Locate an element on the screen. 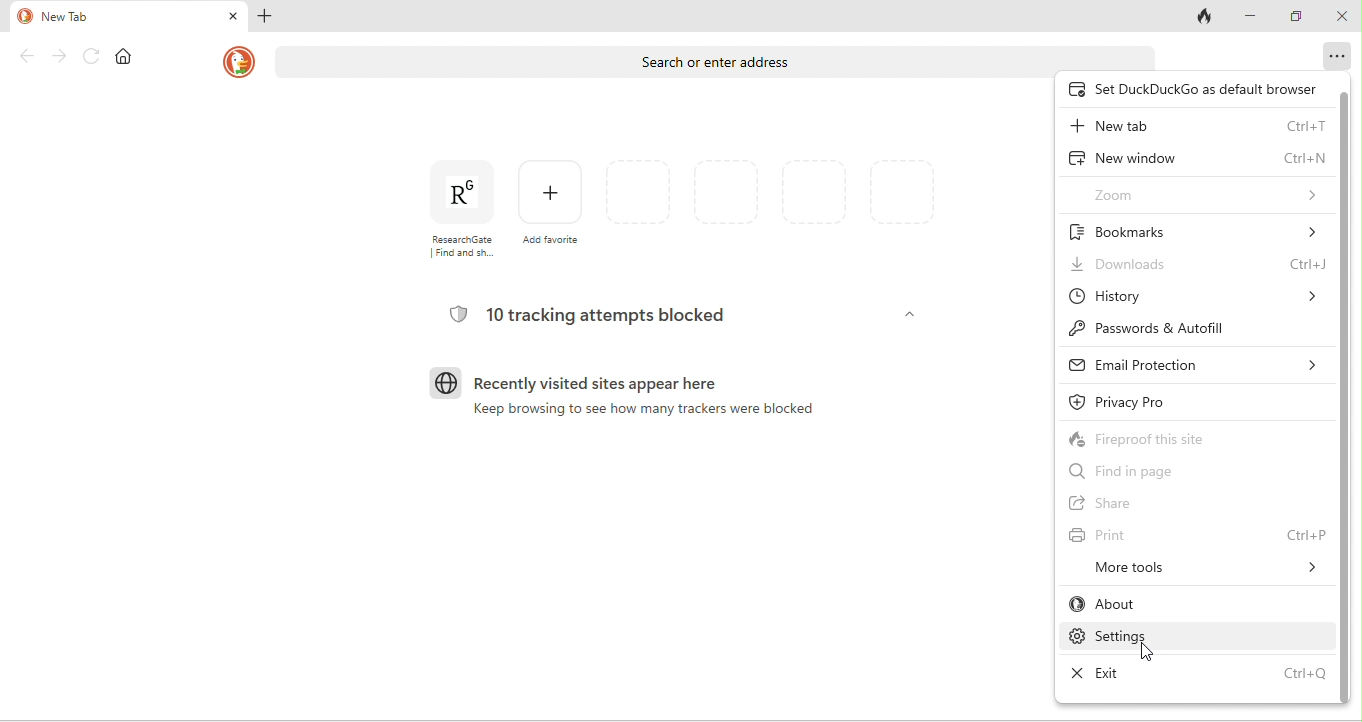 Image resolution: width=1362 pixels, height=722 pixels. bookmarks is located at coordinates (1194, 230).